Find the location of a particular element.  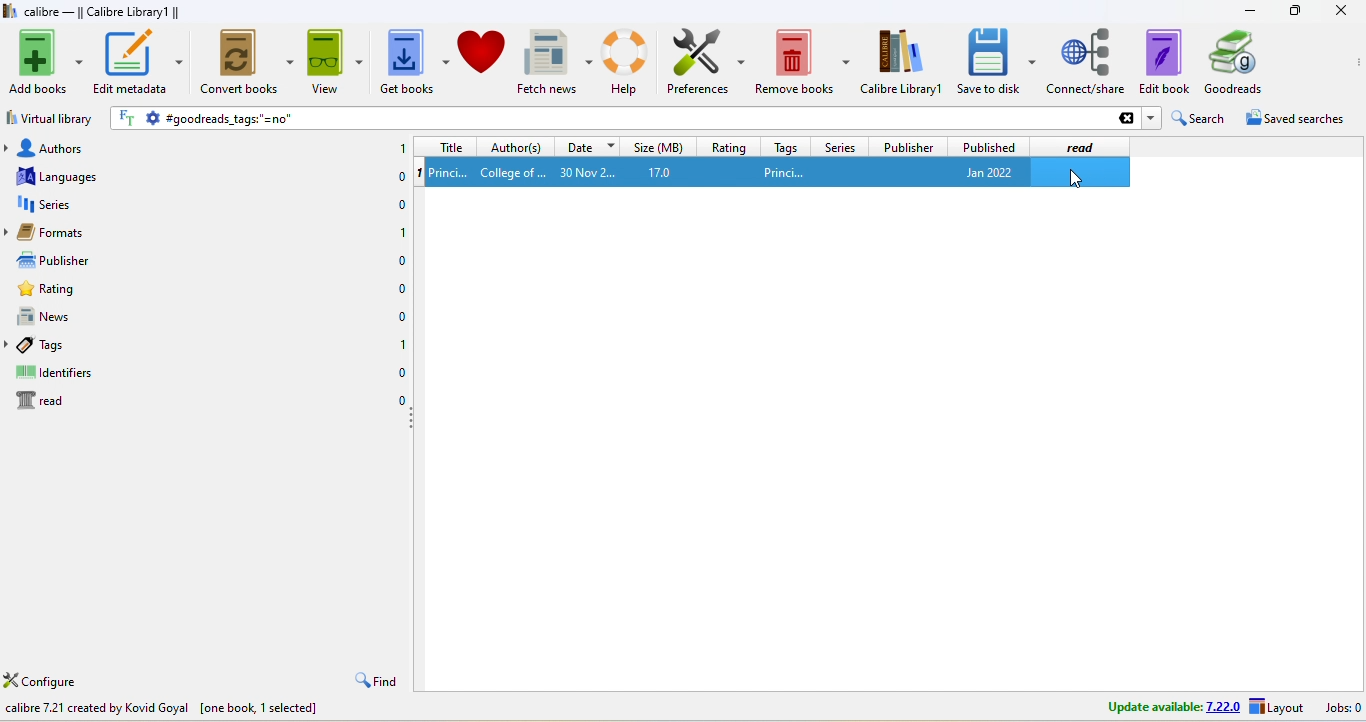

layout is located at coordinates (1279, 708).